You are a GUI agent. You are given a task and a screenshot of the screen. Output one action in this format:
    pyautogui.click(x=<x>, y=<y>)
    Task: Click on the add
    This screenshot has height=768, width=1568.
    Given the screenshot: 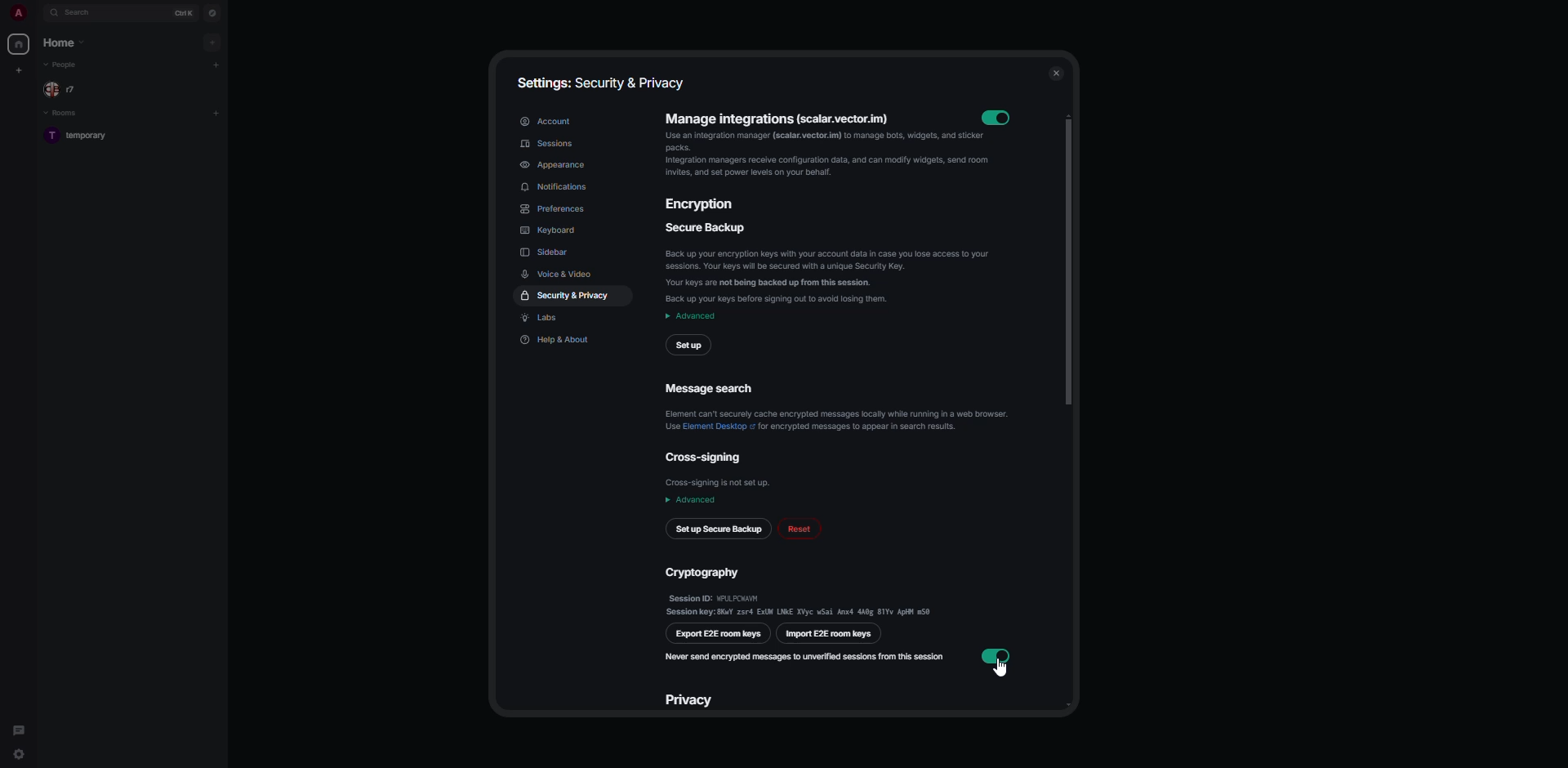 What is the action you would take?
    pyautogui.click(x=216, y=111)
    